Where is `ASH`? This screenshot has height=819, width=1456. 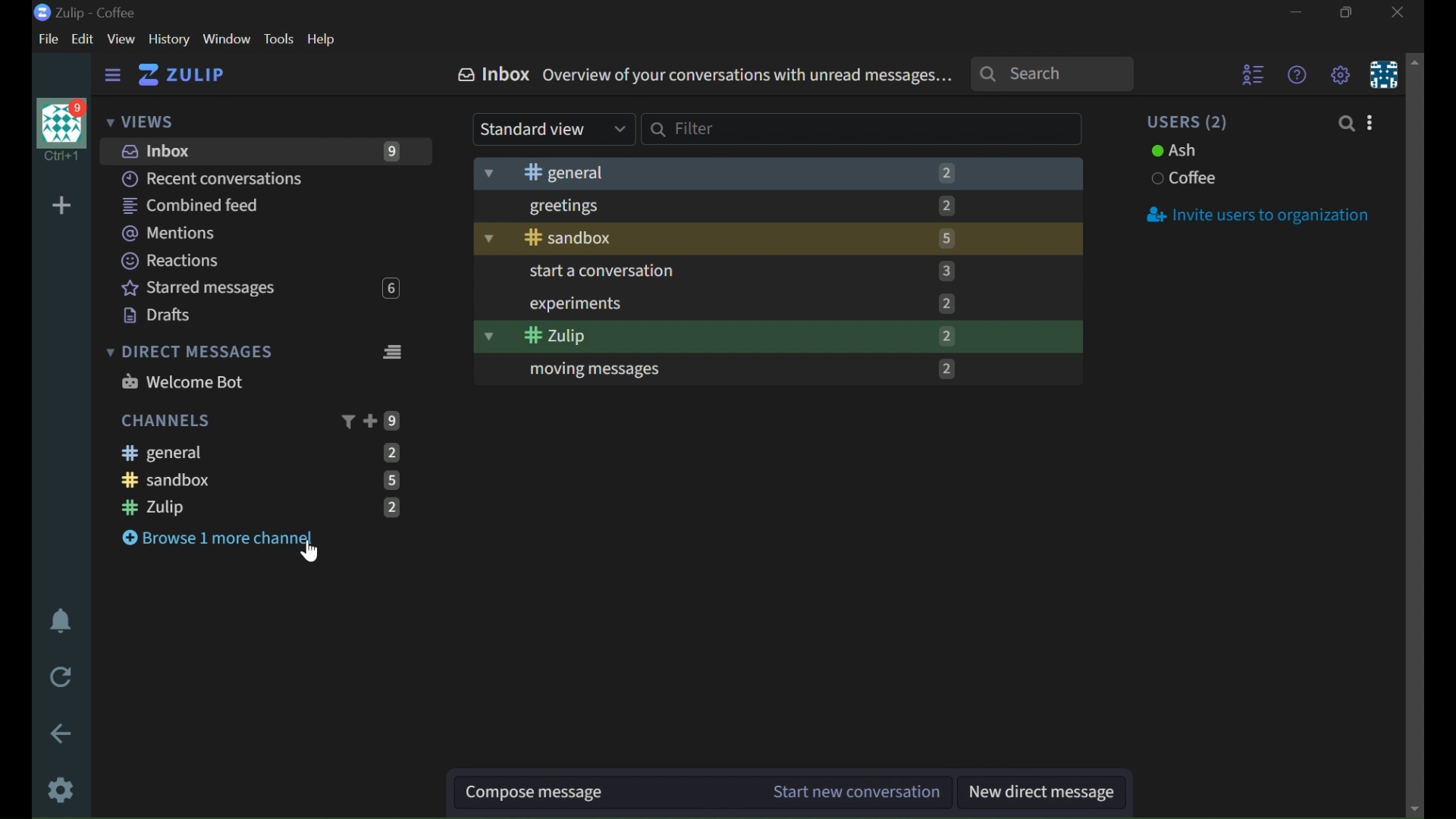
ASH is located at coordinates (1178, 149).